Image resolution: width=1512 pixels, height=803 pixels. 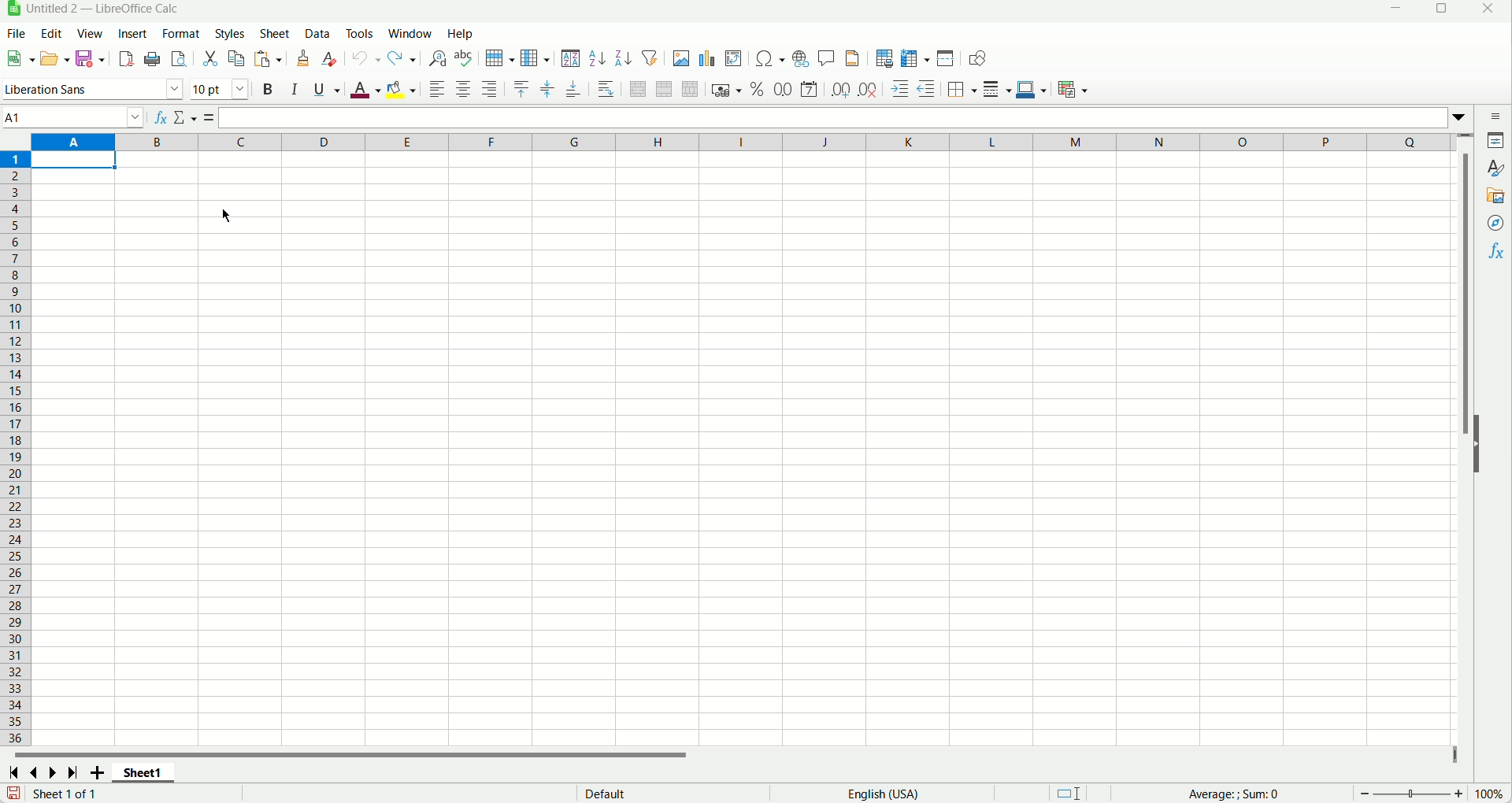 I want to click on Insert comment, so click(x=826, y=57).